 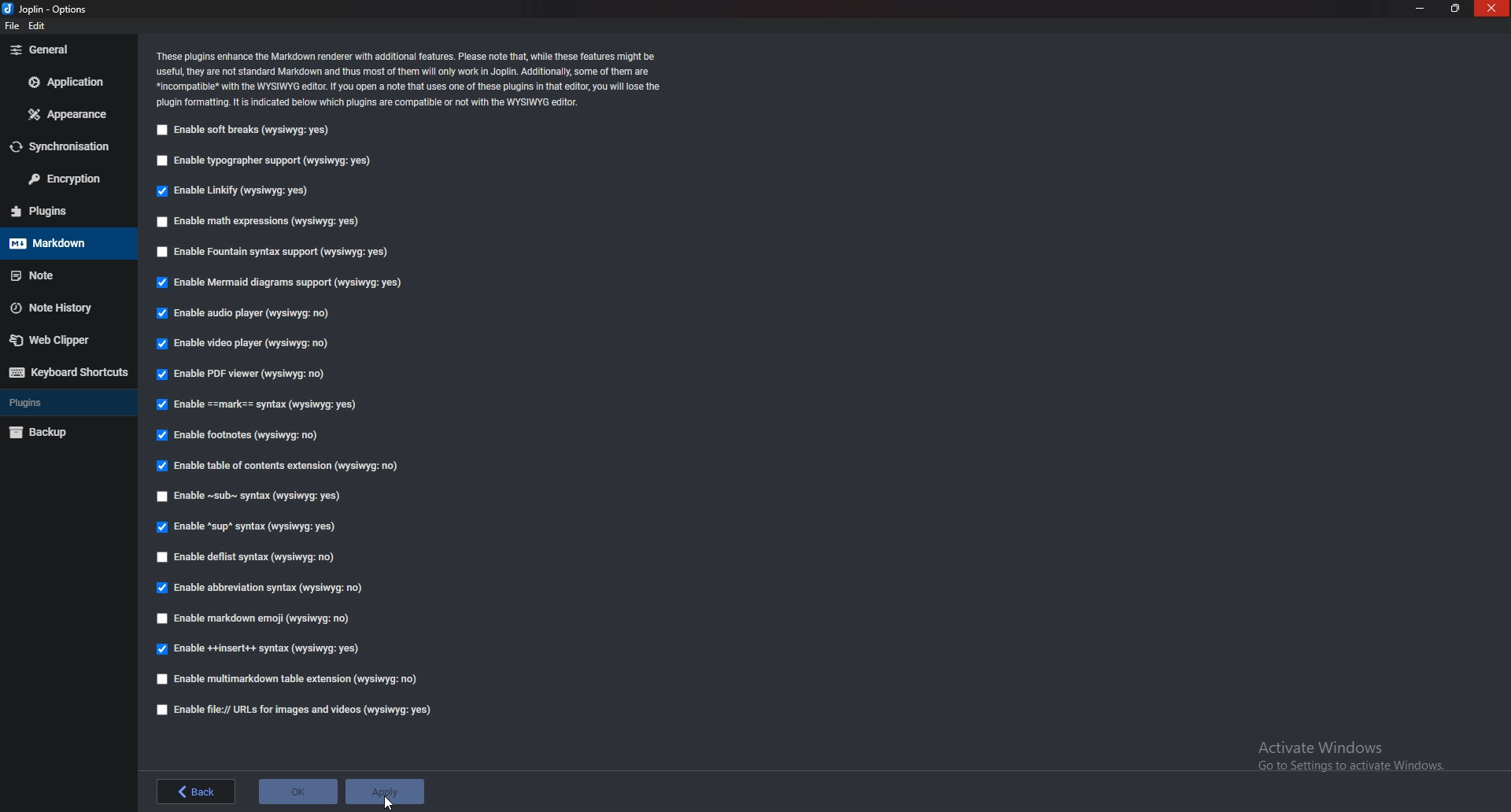 What do you see at coordinates (261, 222) in the screenshot?
I see `Enable math expressions` at bounding box center [261, 222].